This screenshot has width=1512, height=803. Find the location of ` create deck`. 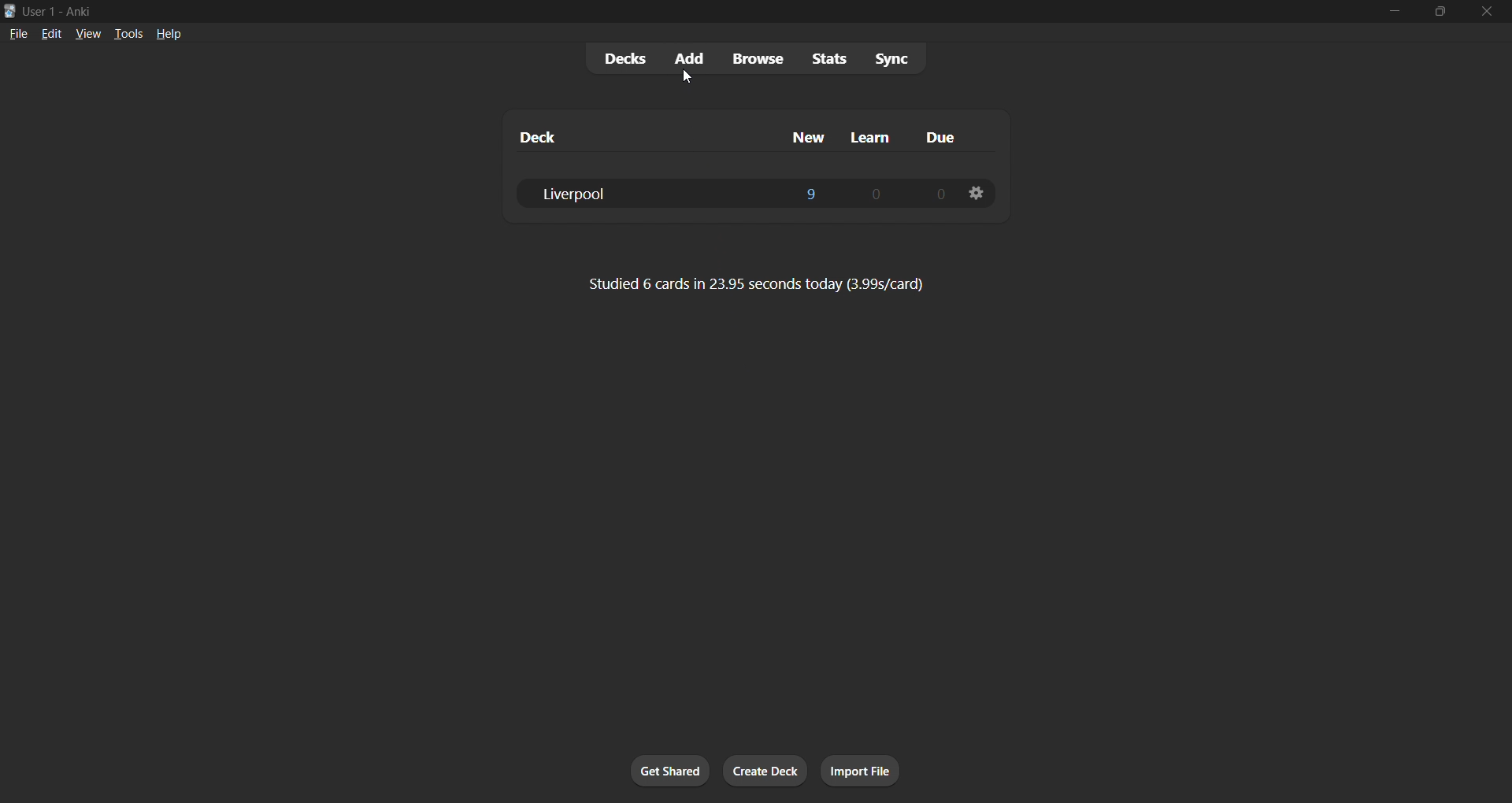

 create deck is located at coordinates (765, 770).